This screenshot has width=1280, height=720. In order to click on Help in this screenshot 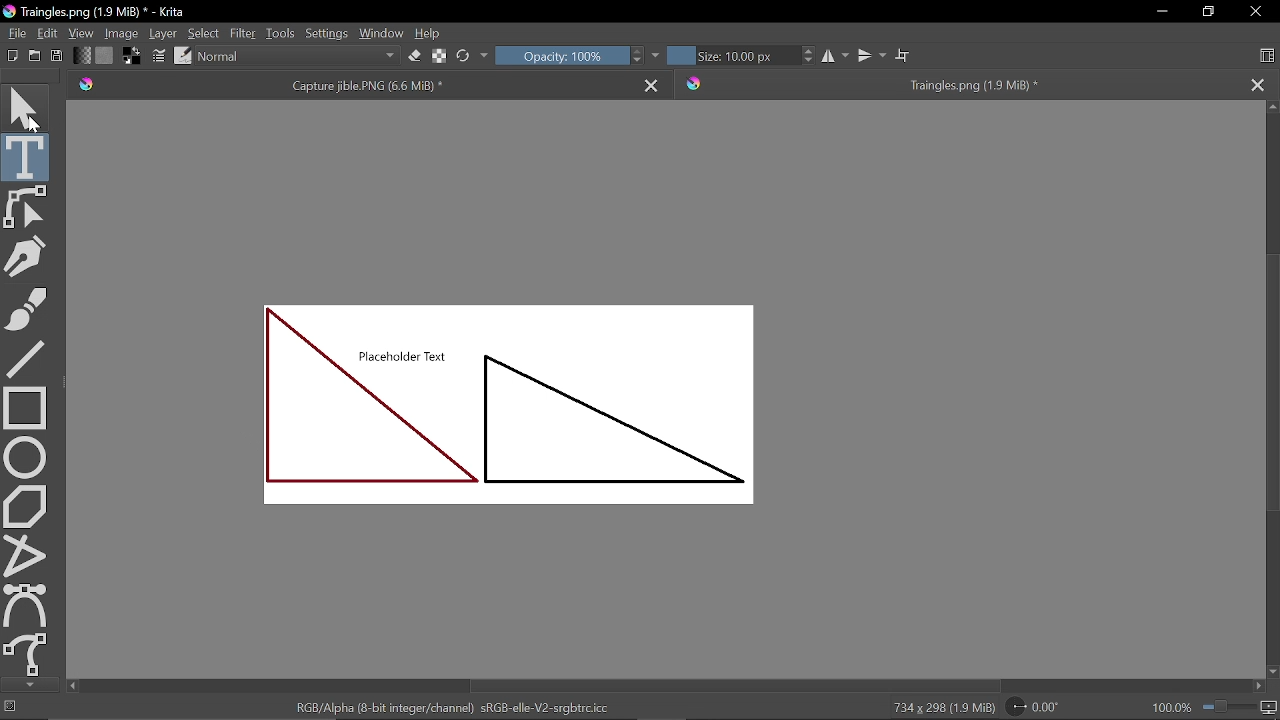, I will do `click(429, 33)`.